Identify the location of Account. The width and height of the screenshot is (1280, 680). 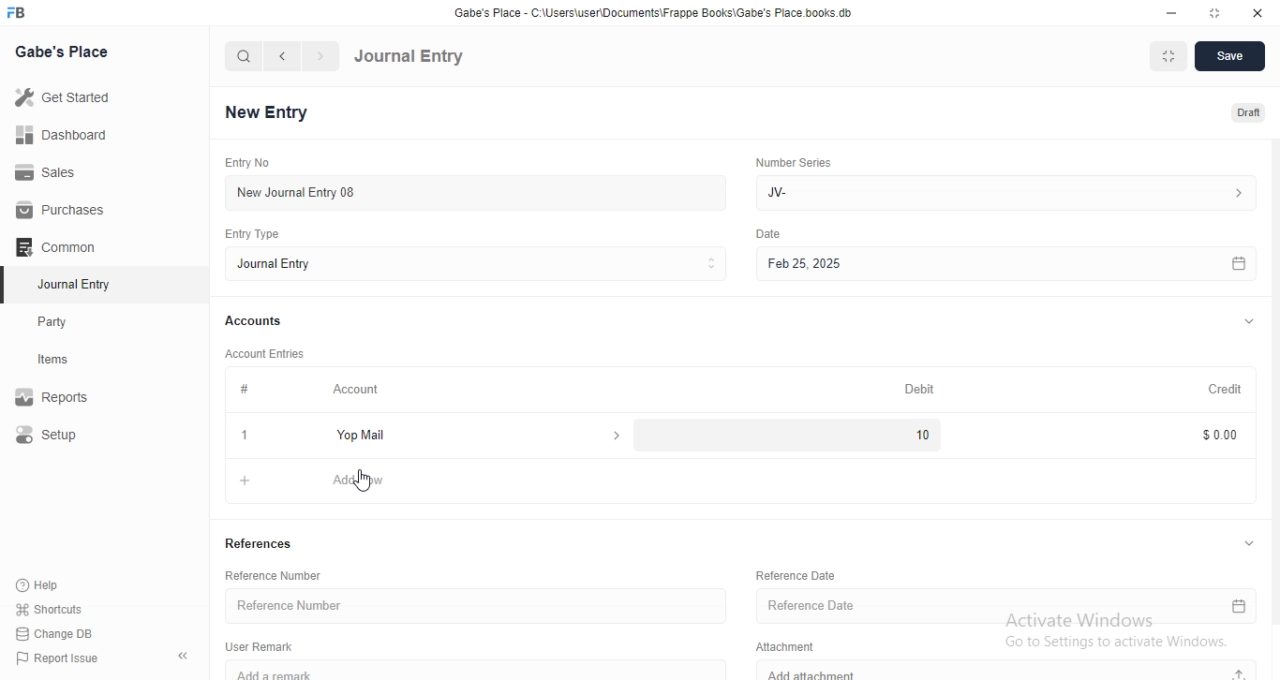
(358, 391).